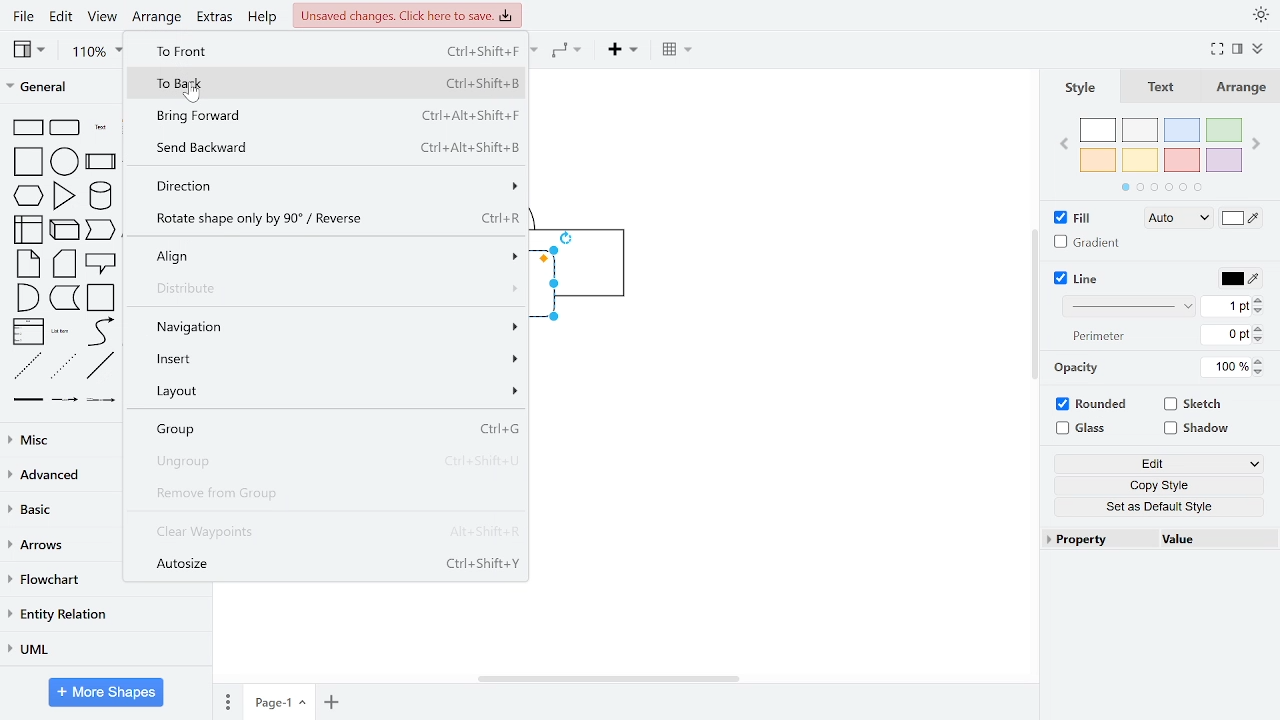 The image size is (1280, 720). I want to click on violet, so click(1222, 161).